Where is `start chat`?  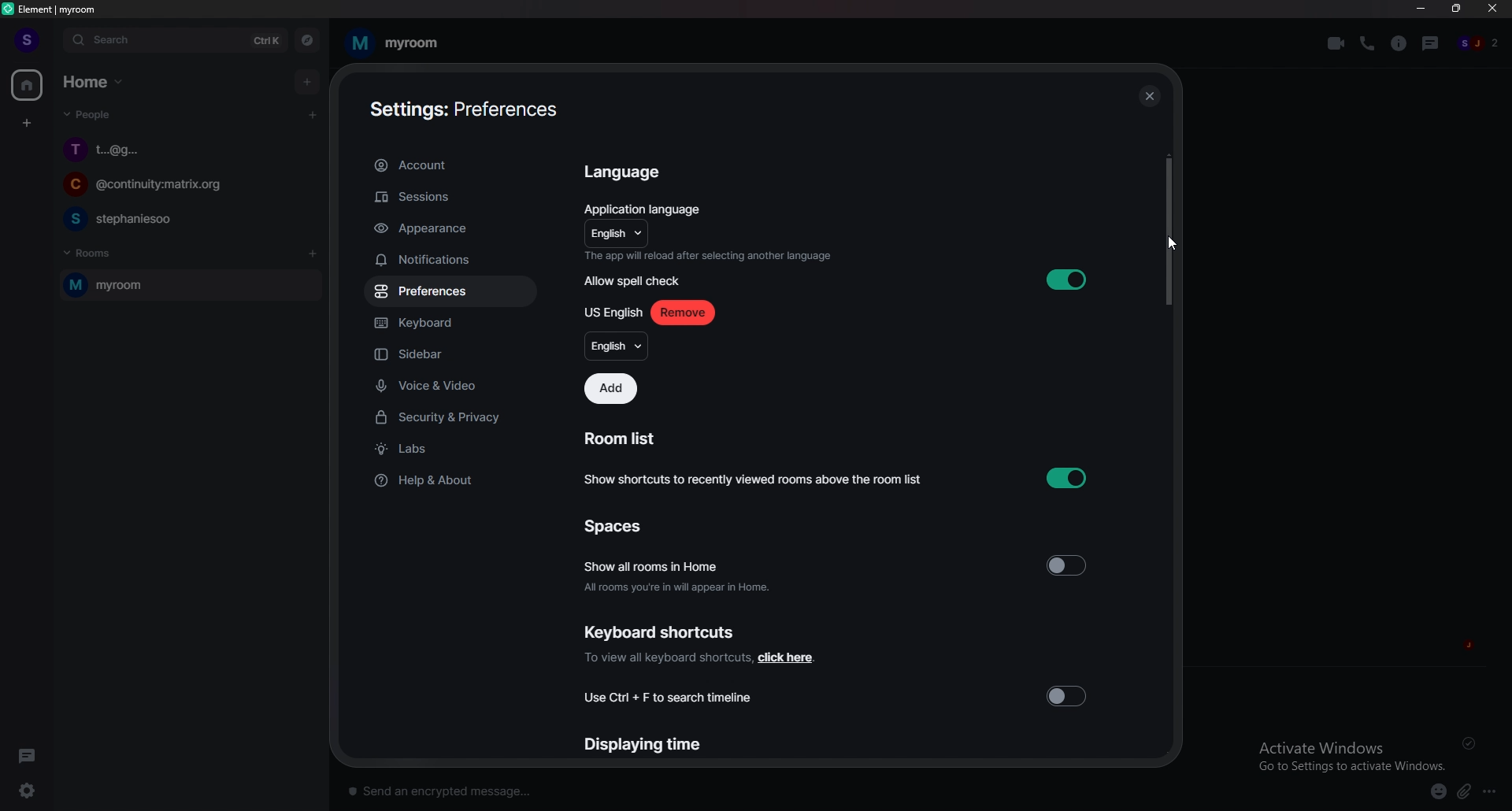
start chat is located at coordinates (312, 114).